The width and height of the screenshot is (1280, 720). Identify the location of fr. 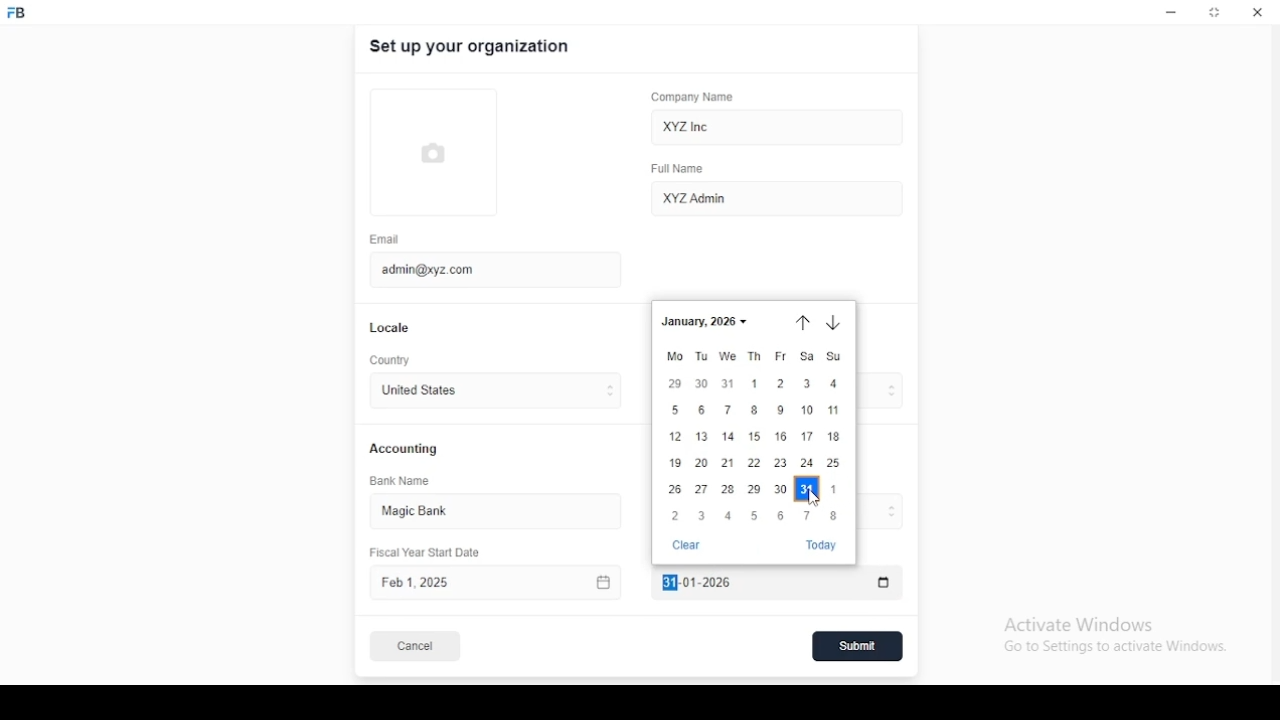
(778, 357).